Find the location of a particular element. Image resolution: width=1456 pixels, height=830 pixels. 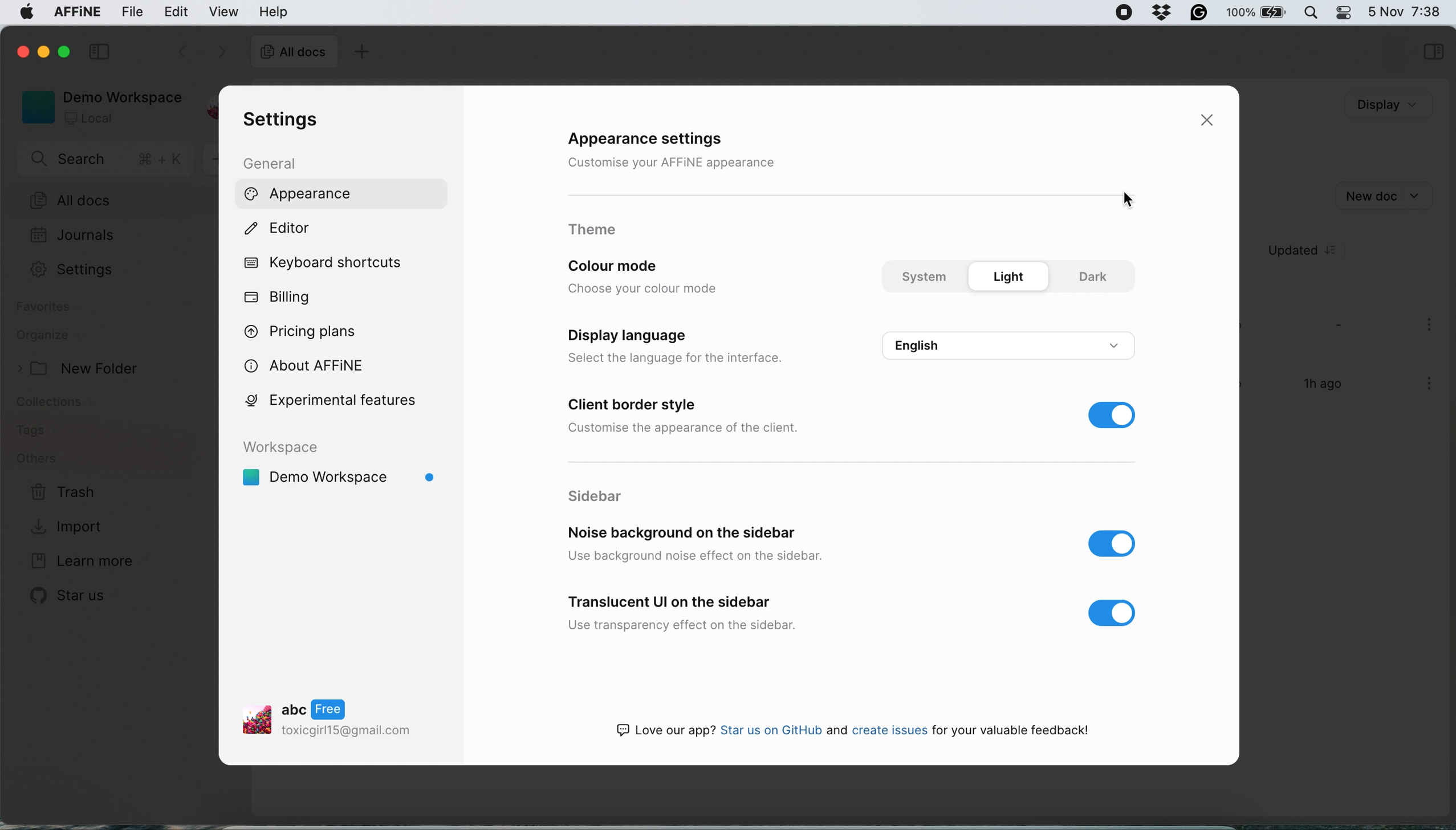

journals is located at coordinates (75, 236).